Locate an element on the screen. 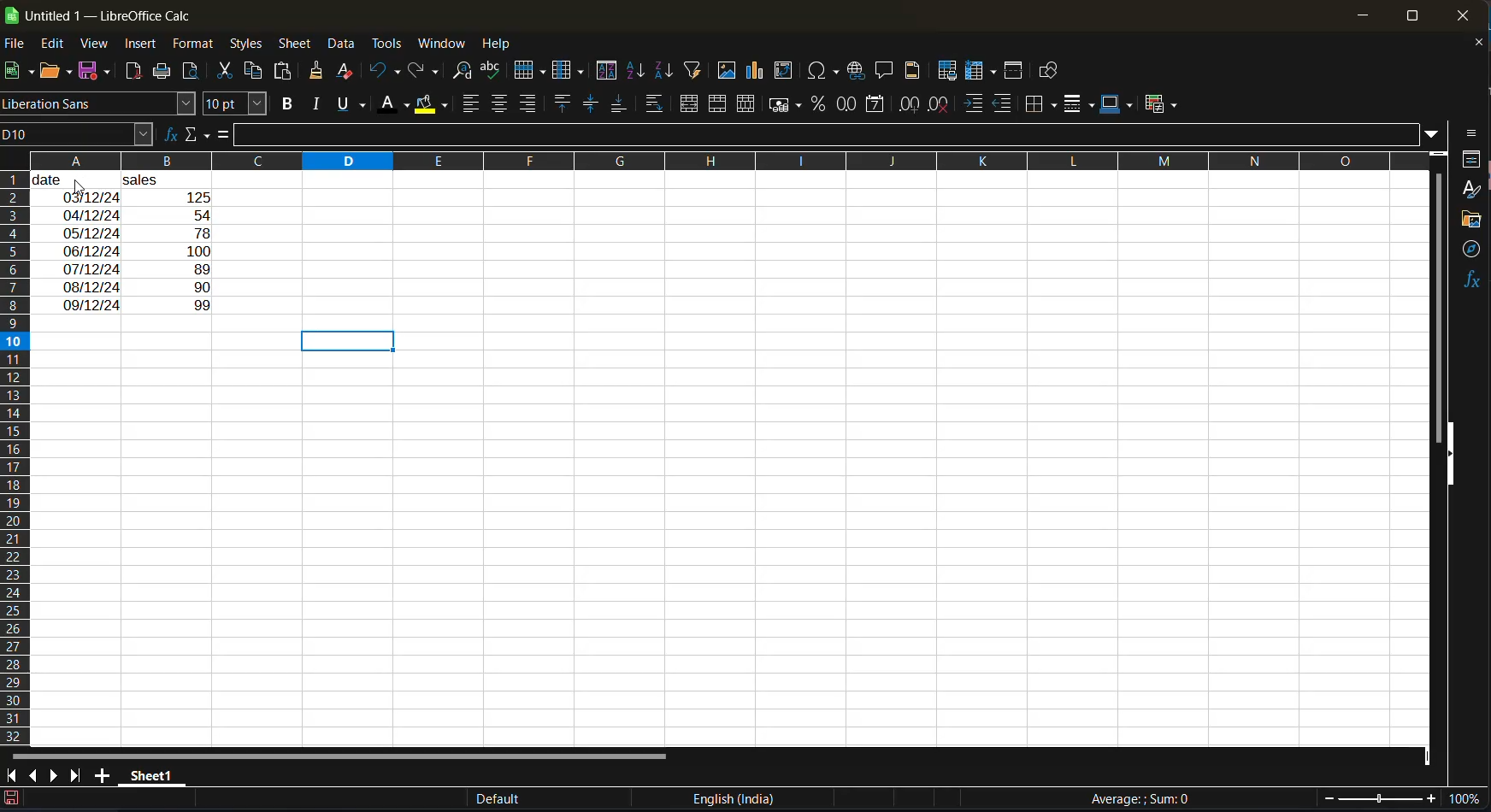 This screenshot has height=812, width=1491. split window is located at coordinates (1014, 72).